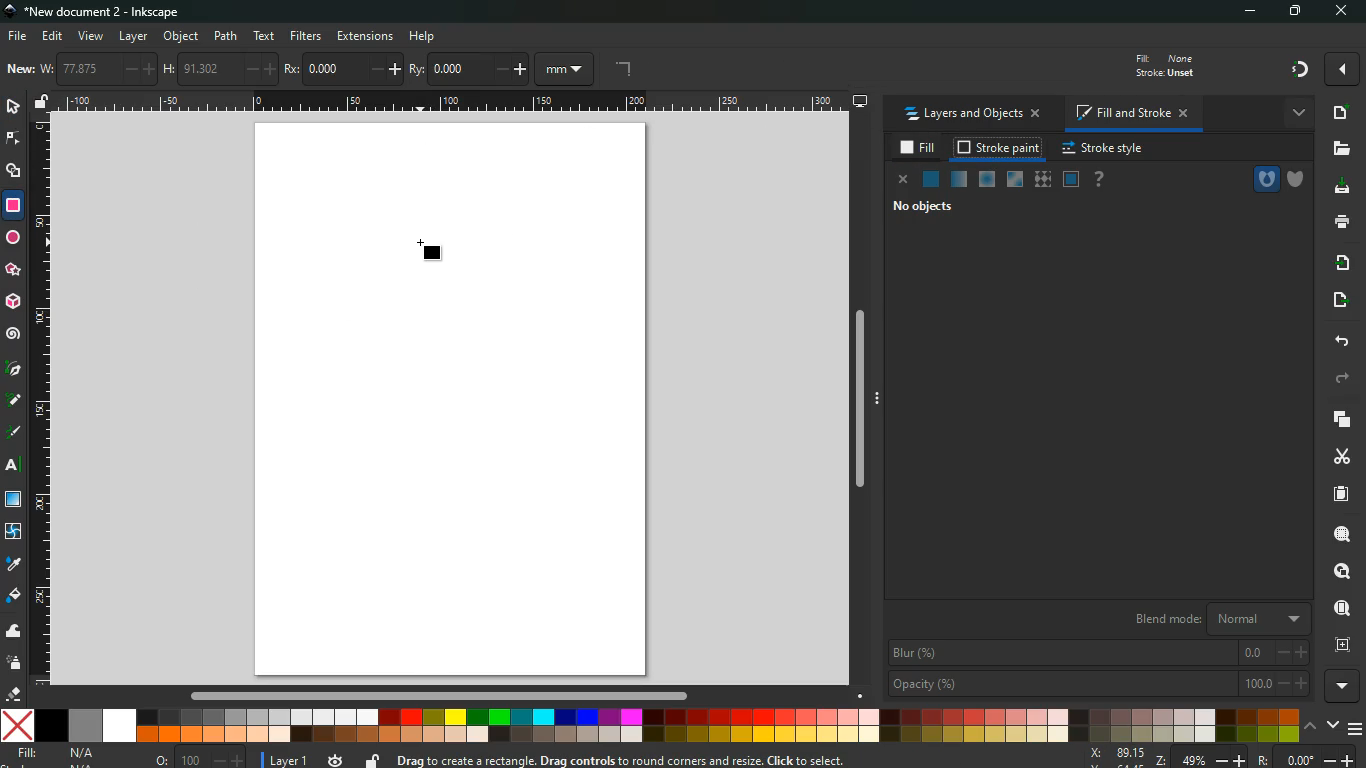  I want to click on up, so click(1311, 727).